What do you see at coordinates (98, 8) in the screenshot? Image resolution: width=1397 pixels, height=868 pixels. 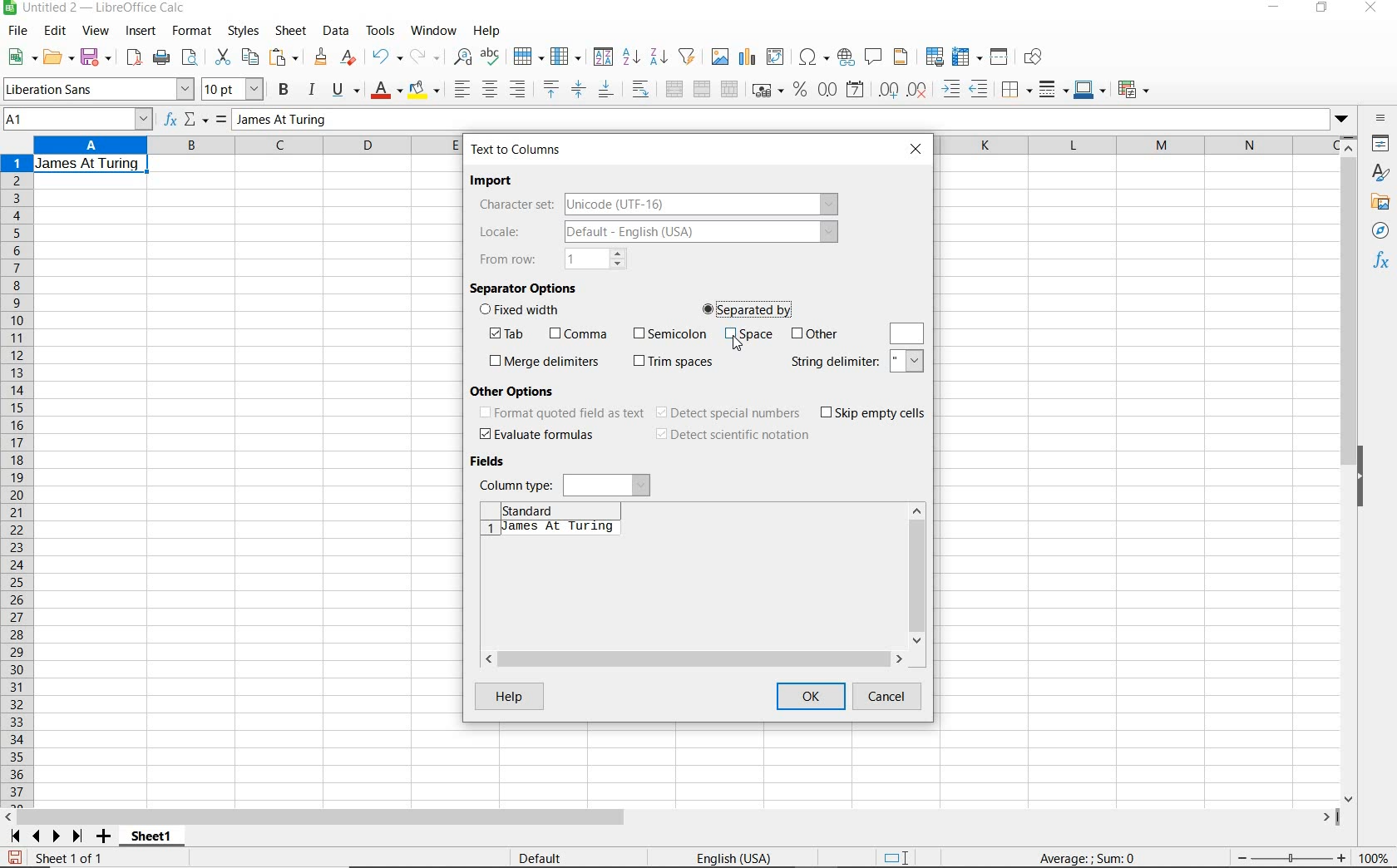 I see `file name` at bounding box center [98, 8].